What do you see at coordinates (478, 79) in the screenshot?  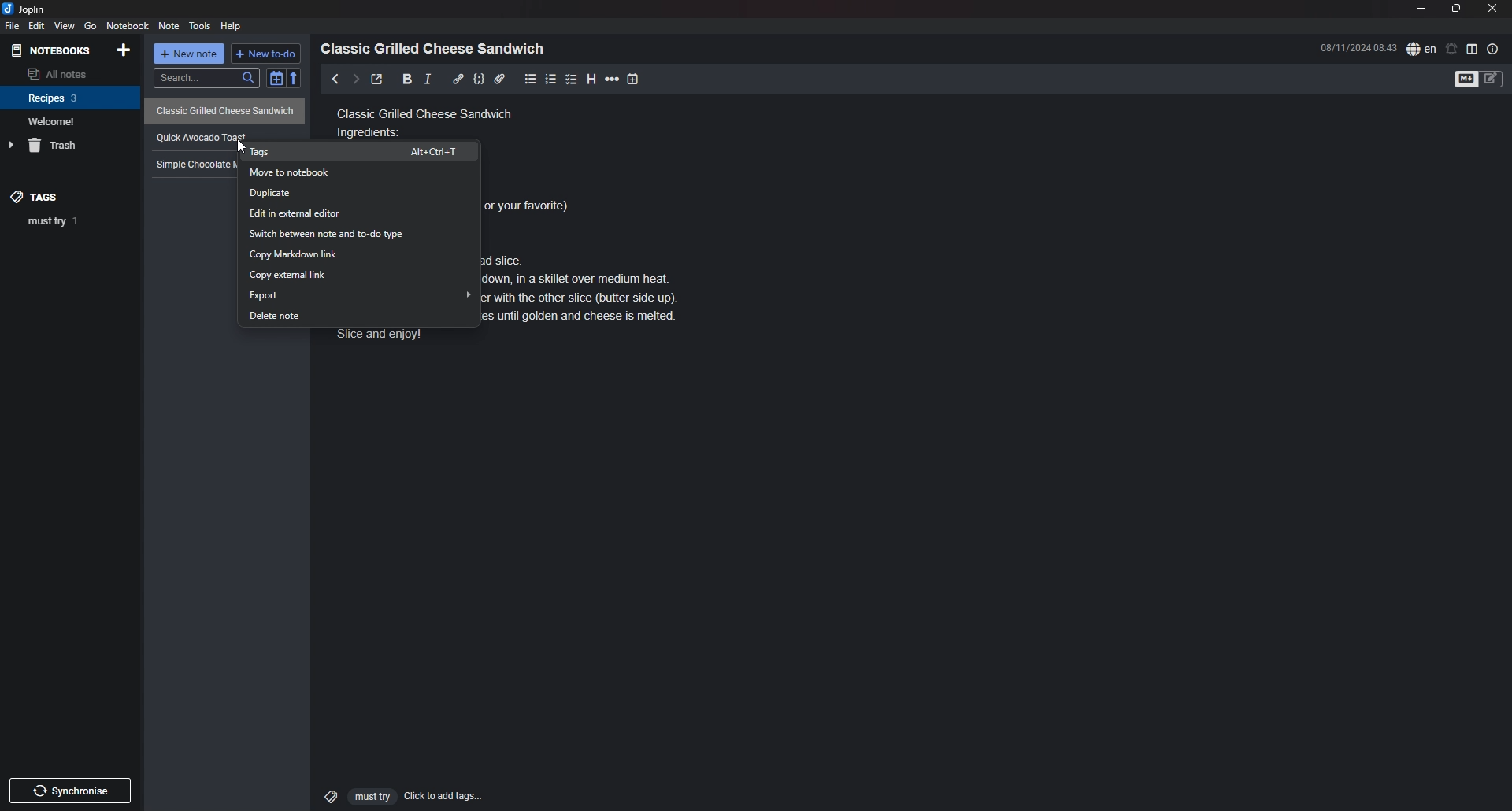 I see `code` at bounding box center [478, 79].